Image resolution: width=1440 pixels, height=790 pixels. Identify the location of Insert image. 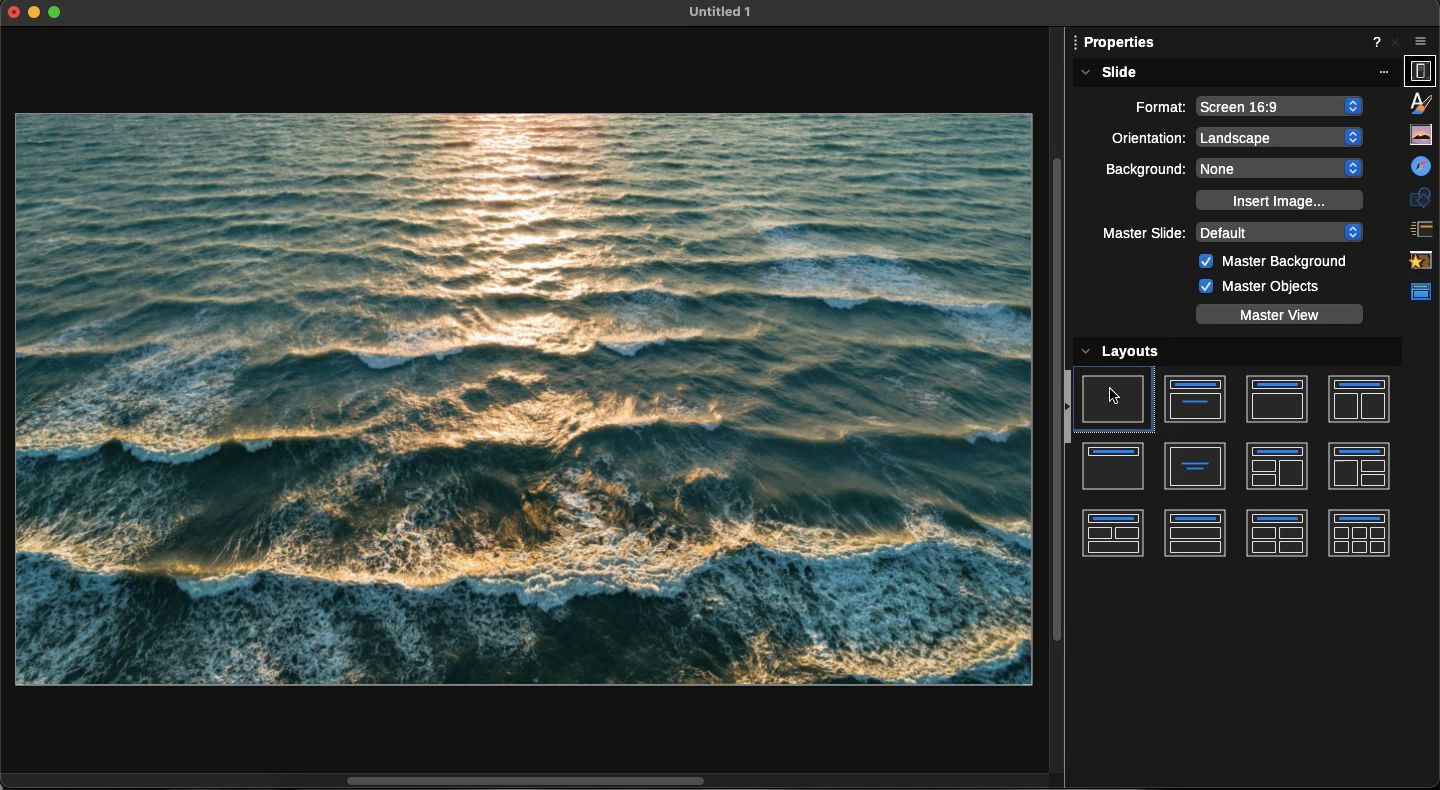
(1277, 200).